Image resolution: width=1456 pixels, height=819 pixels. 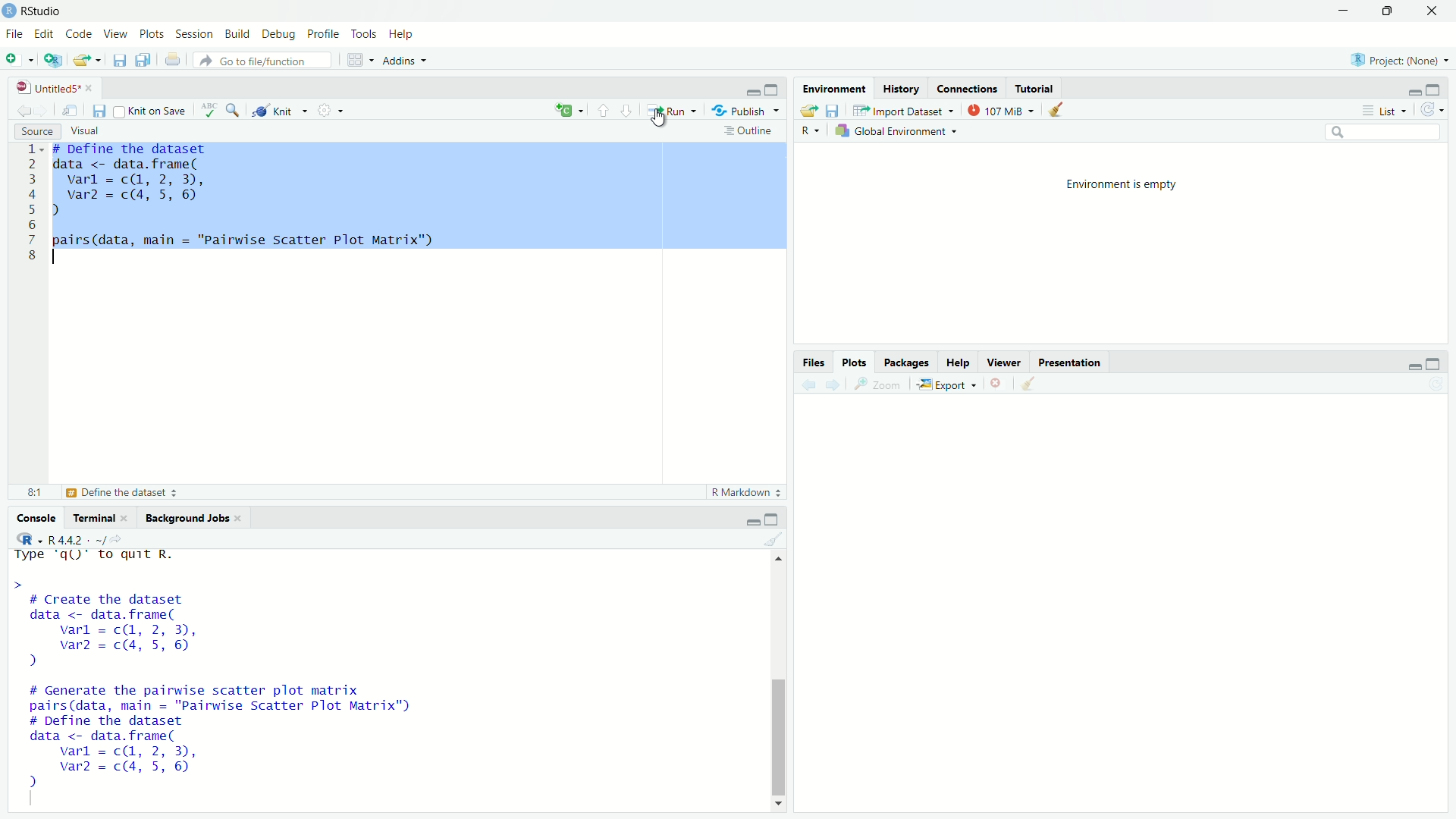 I want to click on Coordinates, so click(x=968, y=88).